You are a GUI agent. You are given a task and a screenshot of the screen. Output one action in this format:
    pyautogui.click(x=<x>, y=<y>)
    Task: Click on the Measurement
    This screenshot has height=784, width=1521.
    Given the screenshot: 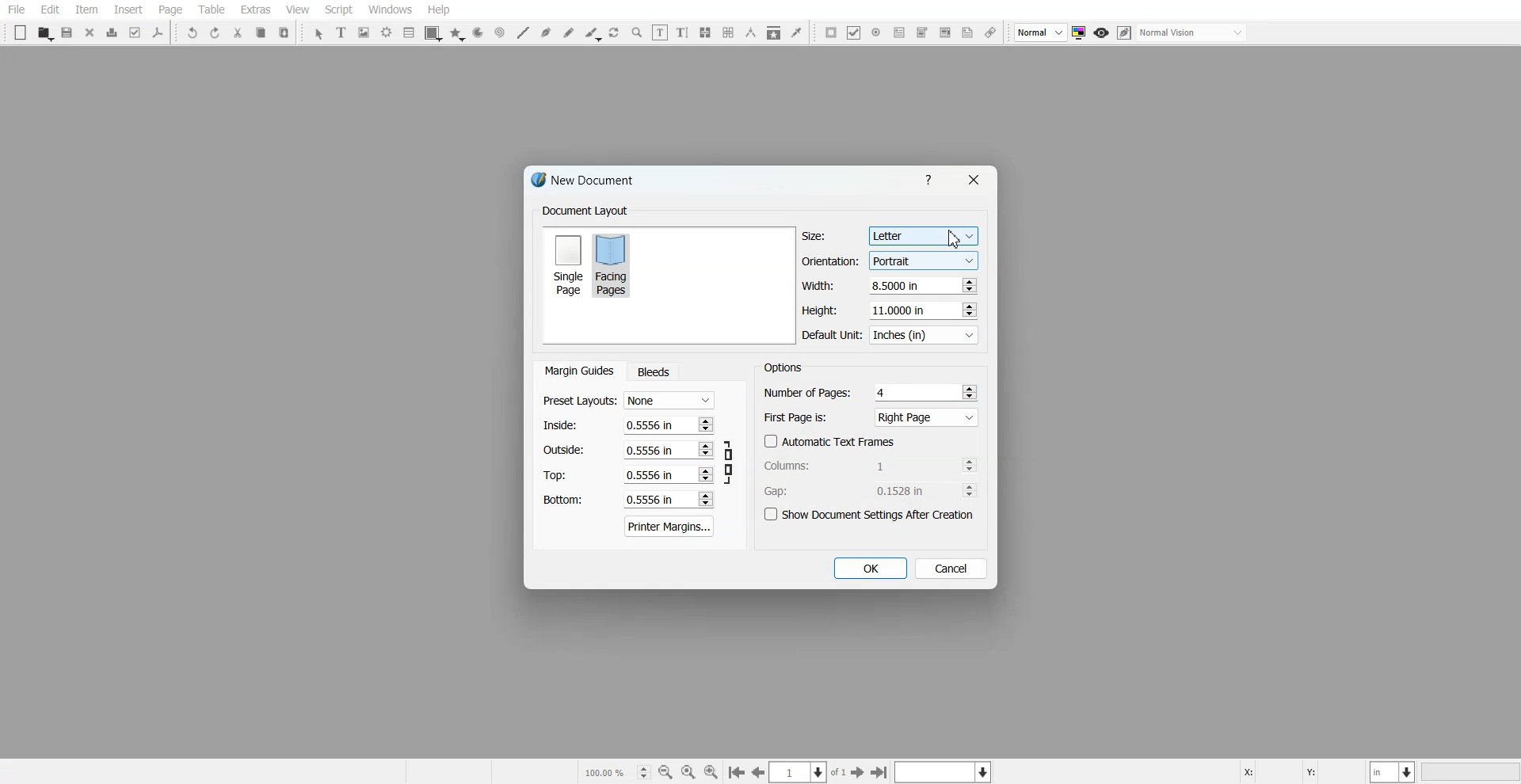 What is the action you would take?
    pyautogui.click(x=751, y=32)
    